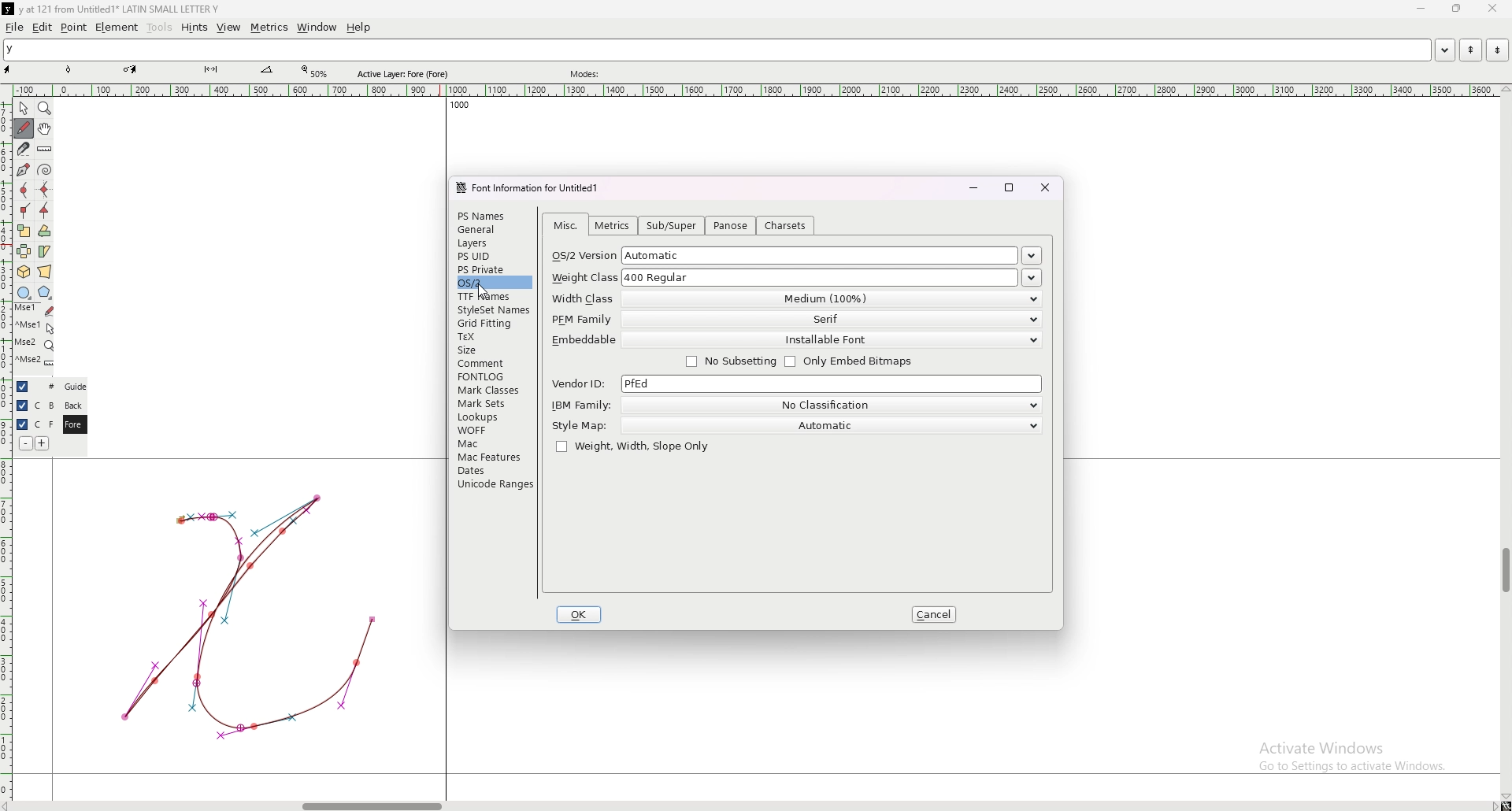 The height and width of the screenshot is (811, 1512). I want to click on scroll bar horizontal, so click(372, 802).